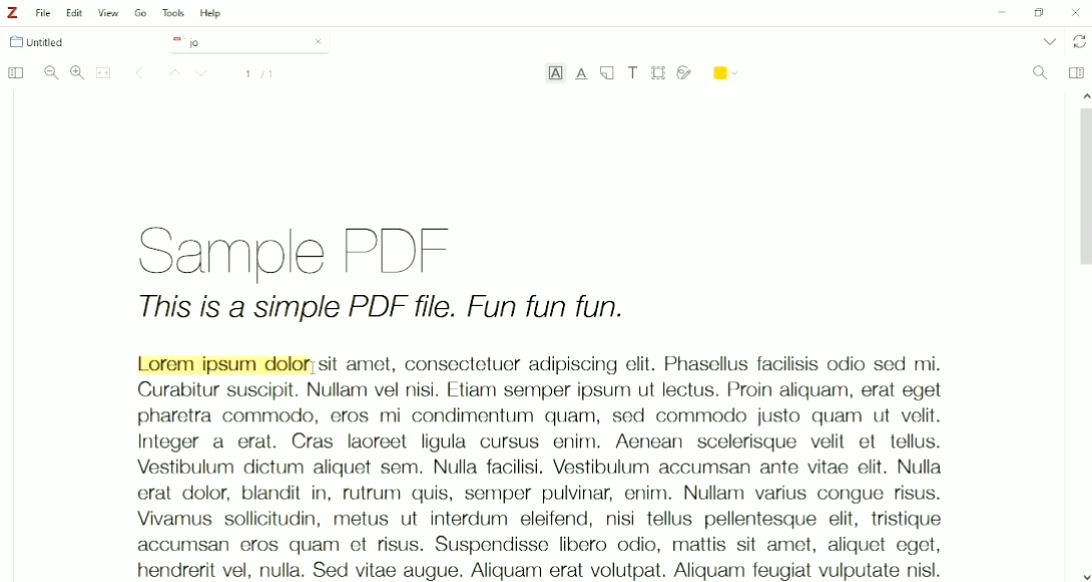 The width and height of the screenshot is (1092, 582). What do you see at coordinates (174, 41) in the screenshot?
I see `pdf logo` at bounding box center [174, 41].